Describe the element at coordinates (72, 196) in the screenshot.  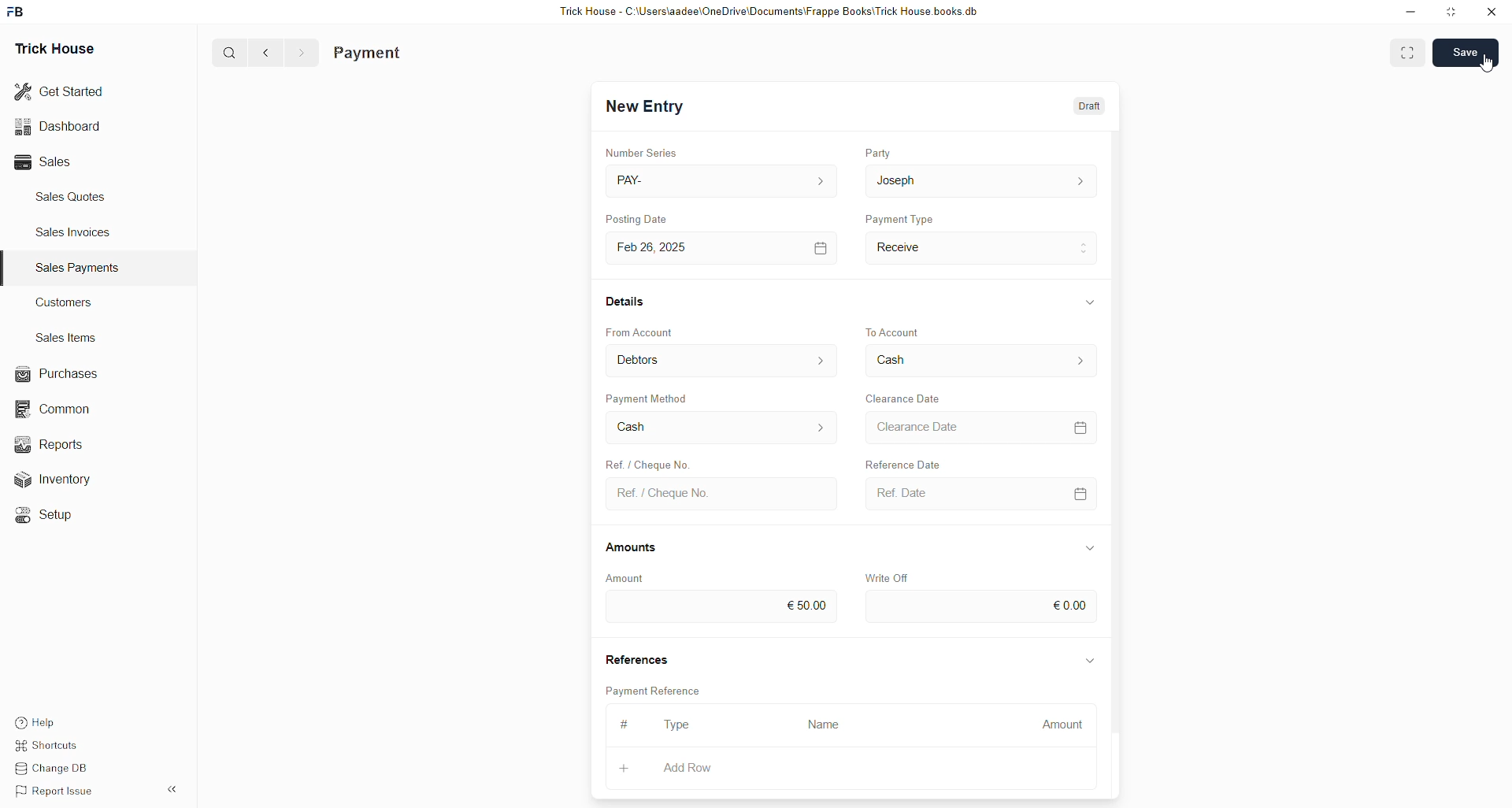
I see `Sales Quotes.` at that location.